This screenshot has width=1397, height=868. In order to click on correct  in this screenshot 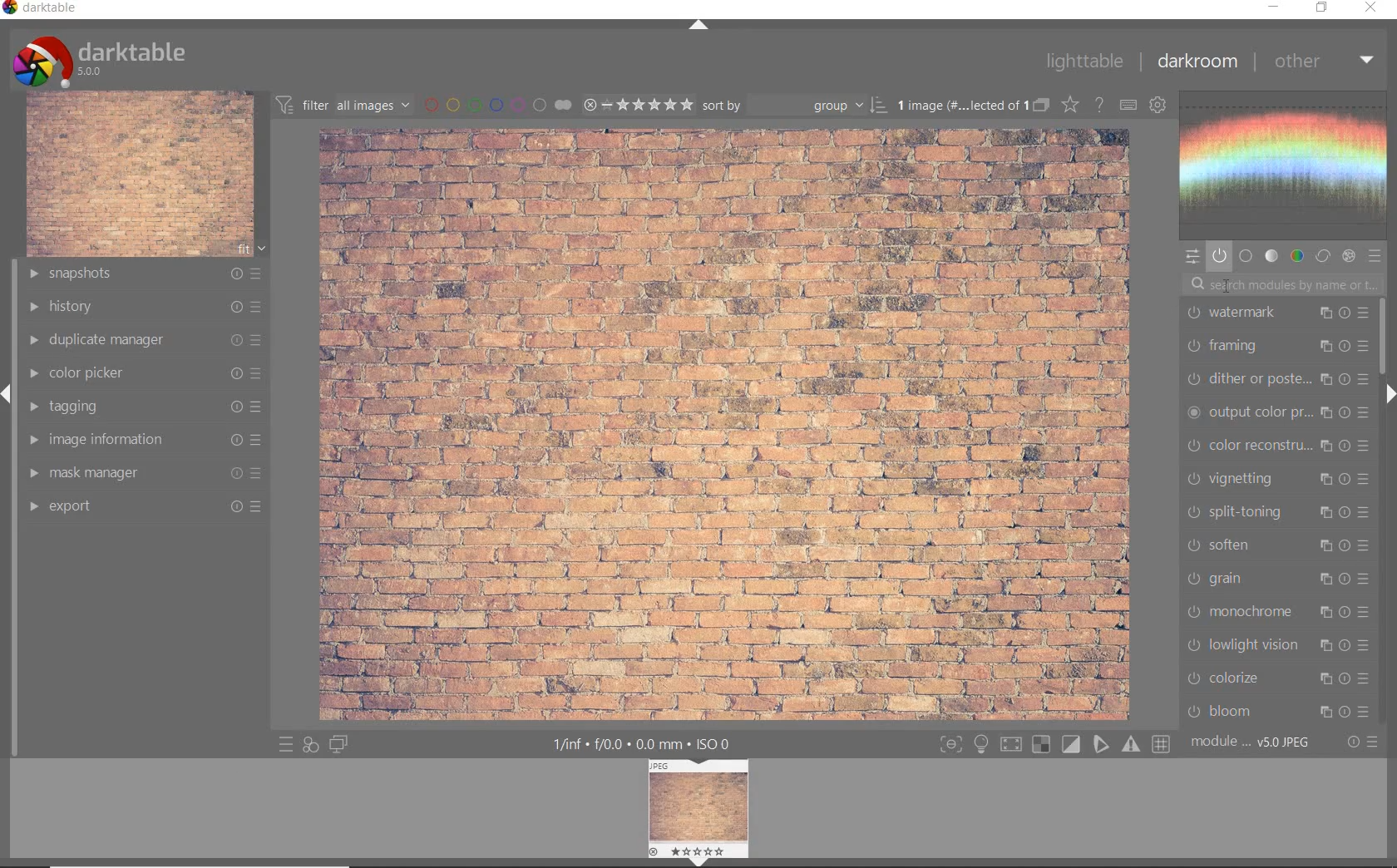, I will do `click(1323, 256)`.